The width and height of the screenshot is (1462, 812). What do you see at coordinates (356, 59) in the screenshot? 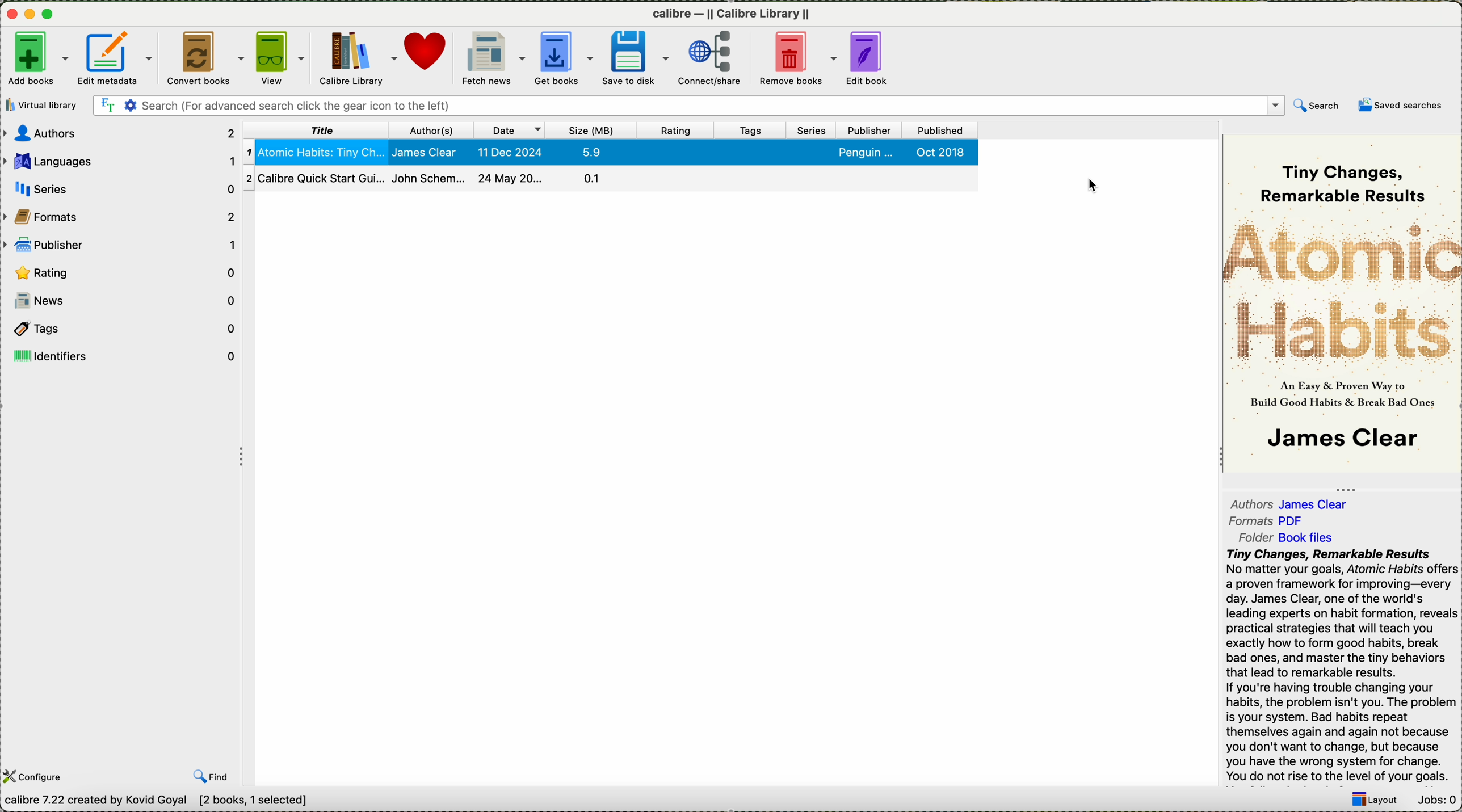
I see `Calibre library` at bounding box center [356, 59].